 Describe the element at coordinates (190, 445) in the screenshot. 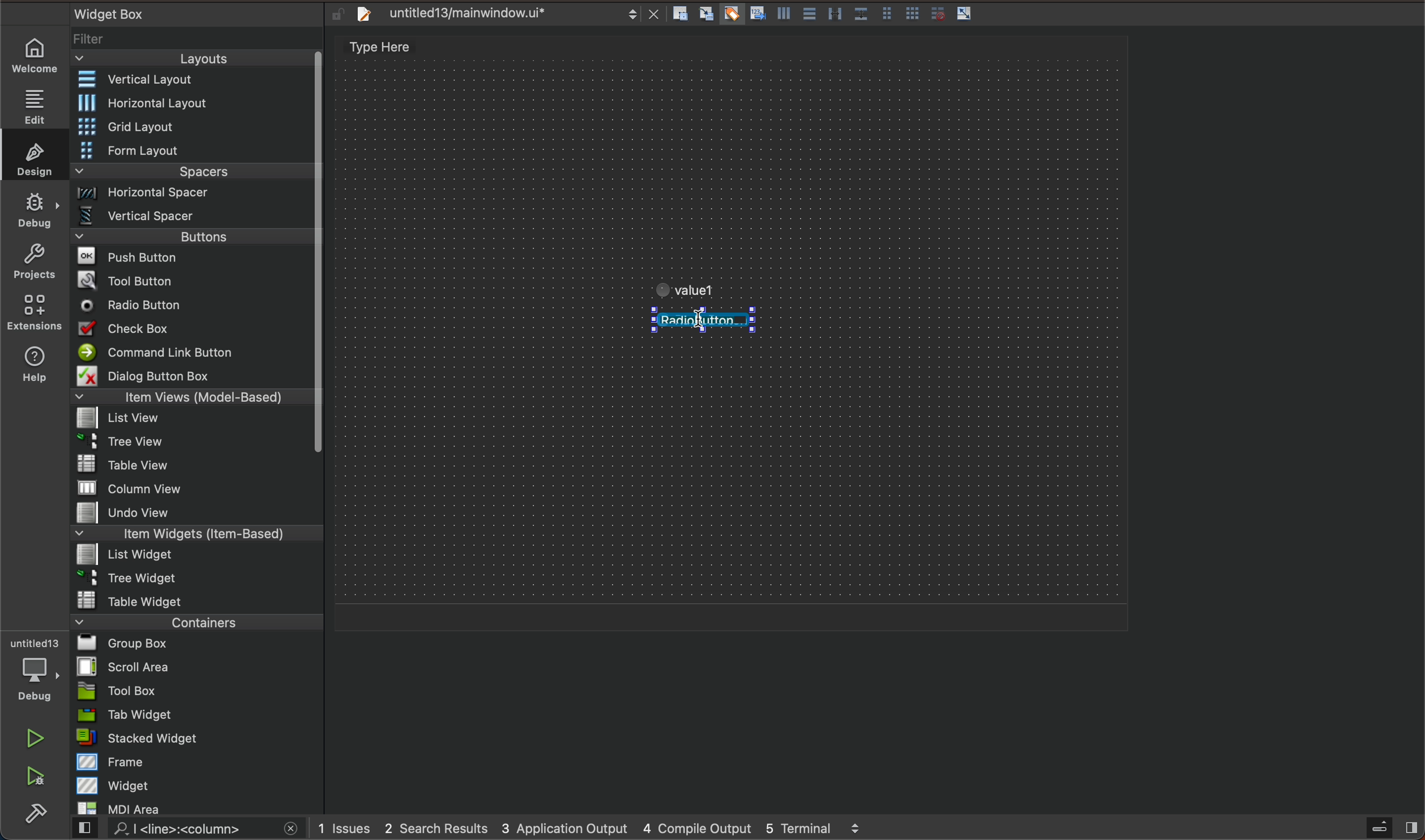

I see `` at that location.